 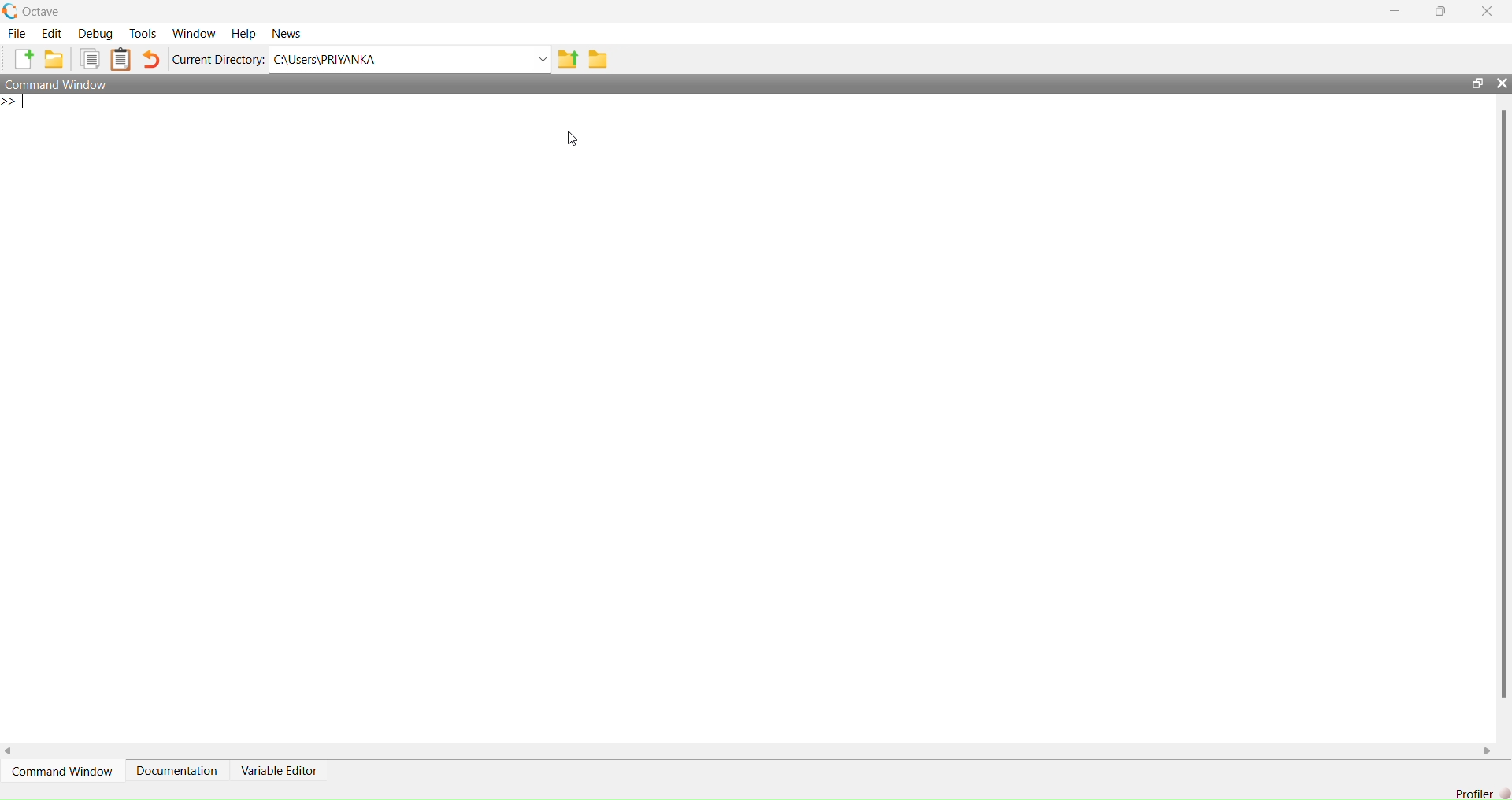 What do you see at coordinates (24, 102) in the screenshot?
I see `Typing indicator` at bounding box center [24, 102].